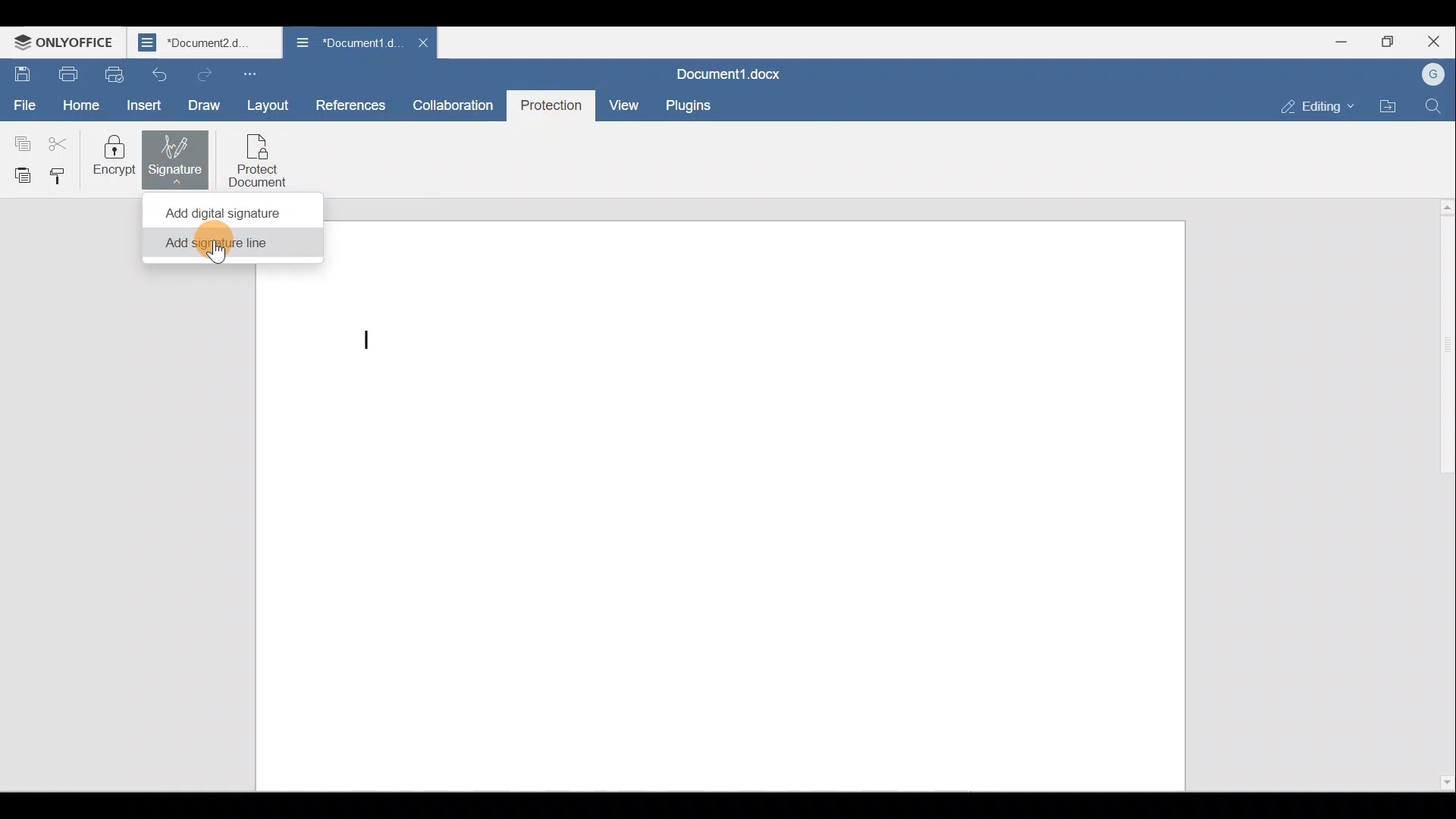 Image resolution: width=1456 pixels, height=819 pixels. What do you see at coordinates (19, 140) in the screenshot?
I see `Copy` at bounding box center [19, 140].